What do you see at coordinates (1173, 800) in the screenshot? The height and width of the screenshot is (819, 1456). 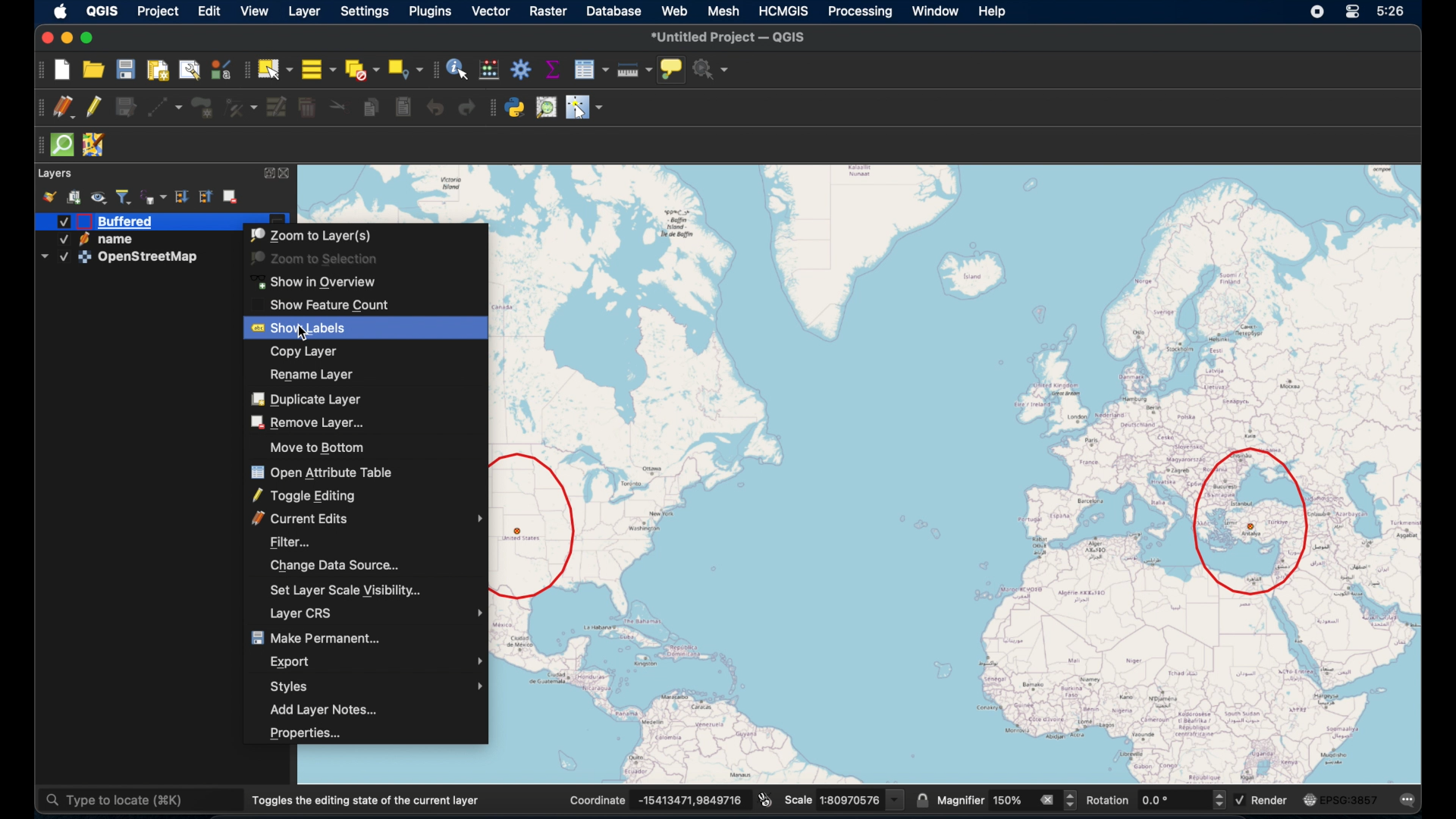 I see `rotation value` at bounding box center [1173, 800].